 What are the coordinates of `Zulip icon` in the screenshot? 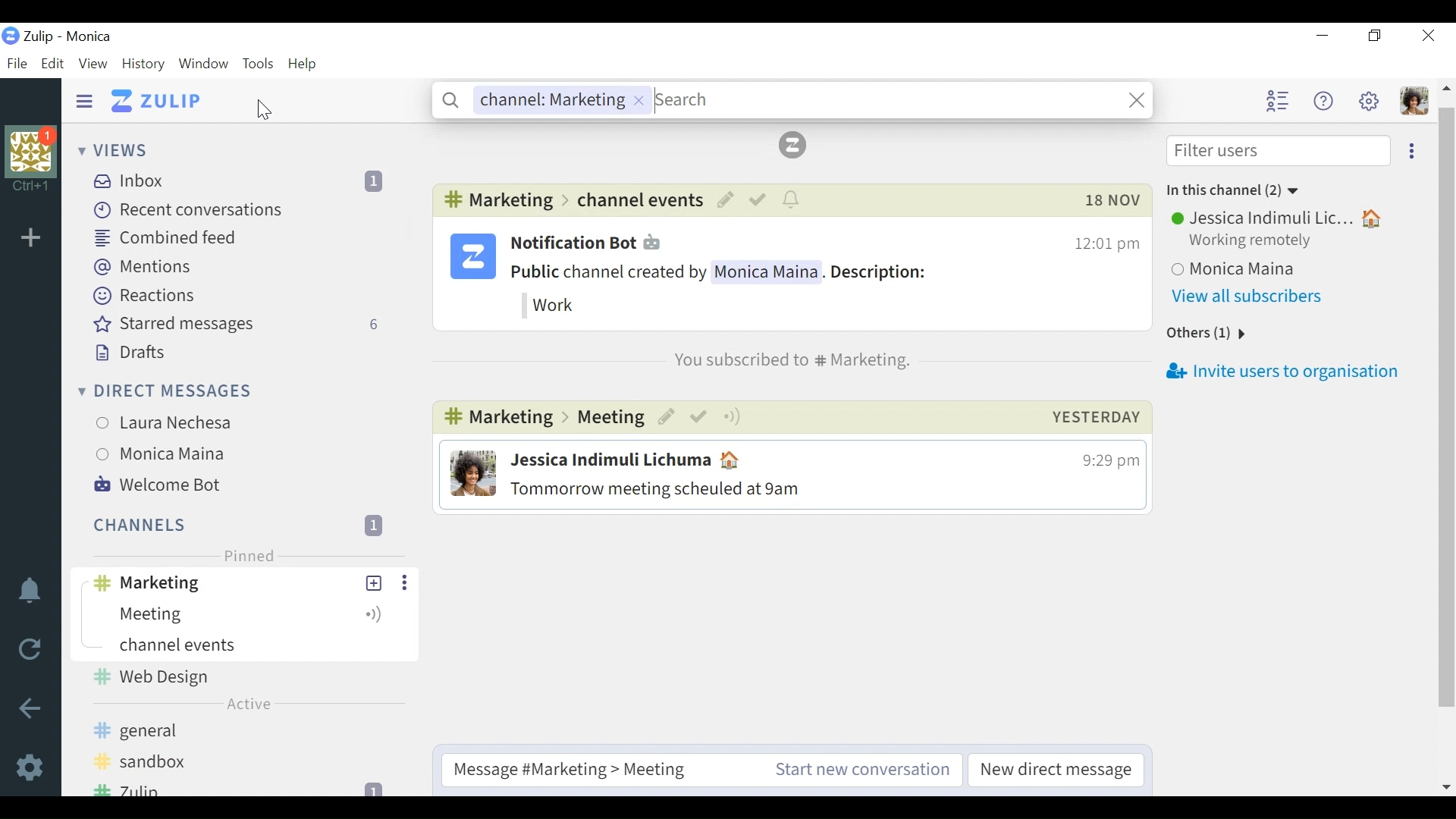 It's located at (794, 146).